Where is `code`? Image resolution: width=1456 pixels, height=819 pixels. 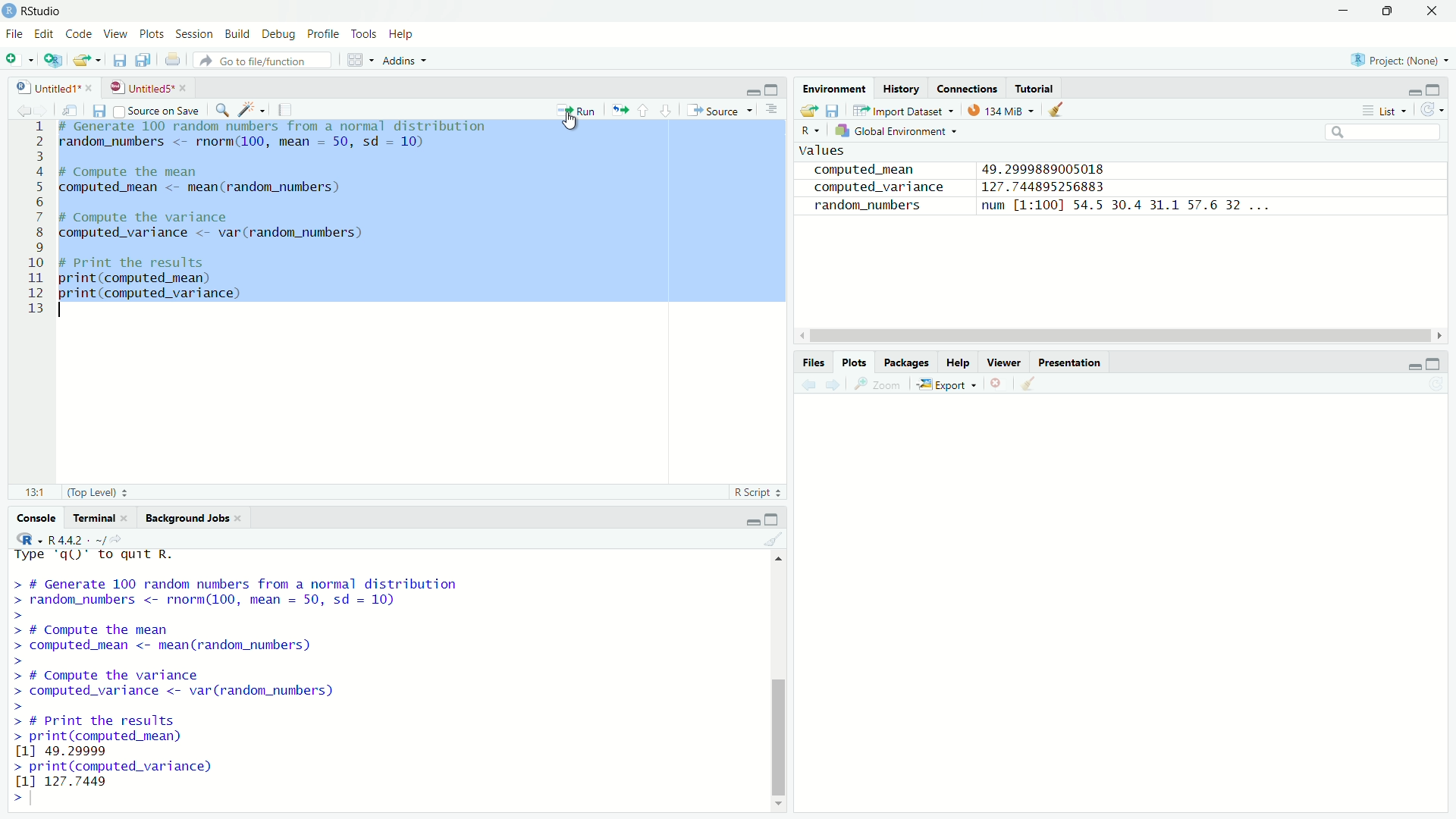
code is located at coordinates (79, 34).